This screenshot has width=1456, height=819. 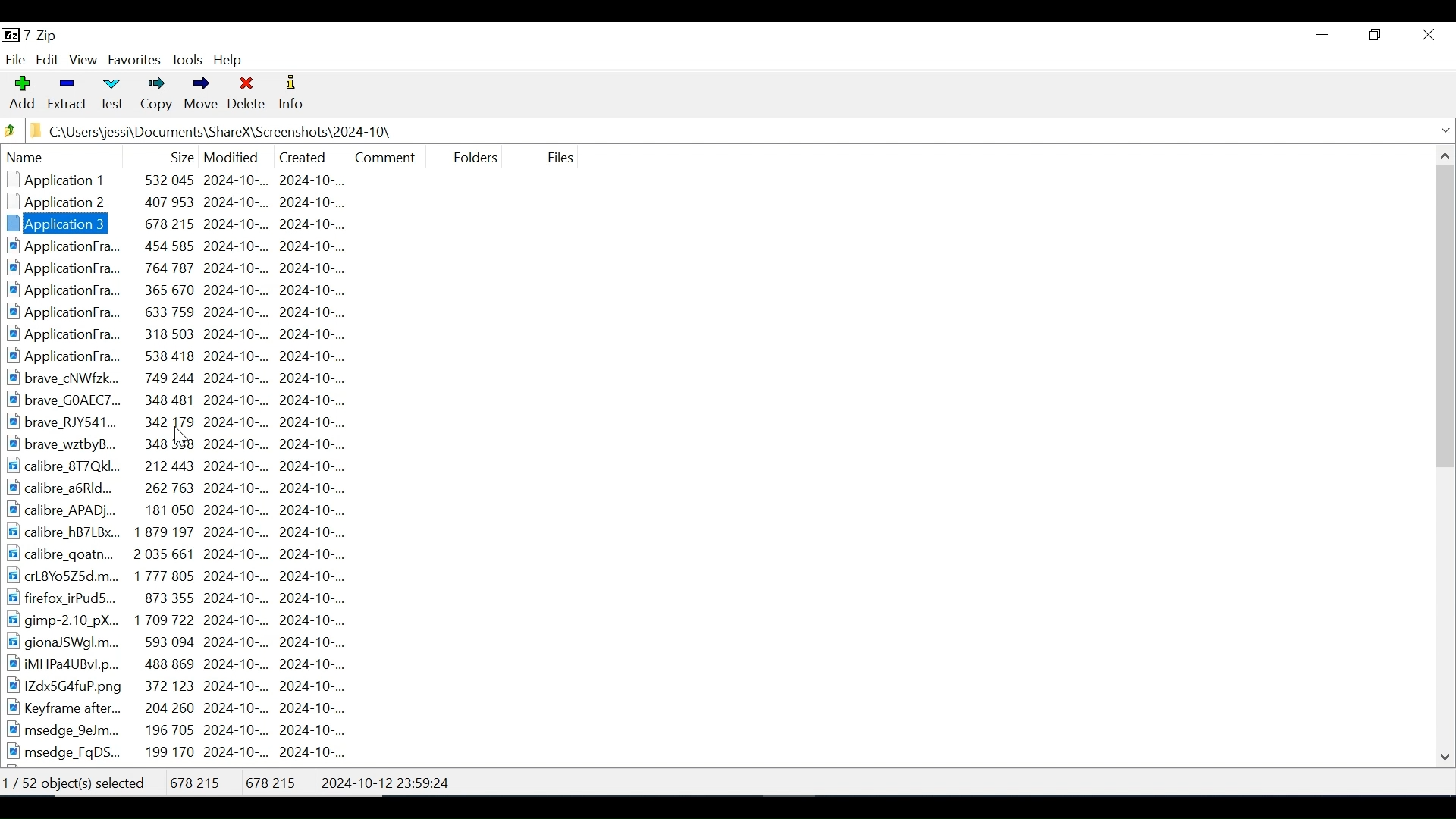 I want to click on Copy, so click(x=153, y=96).